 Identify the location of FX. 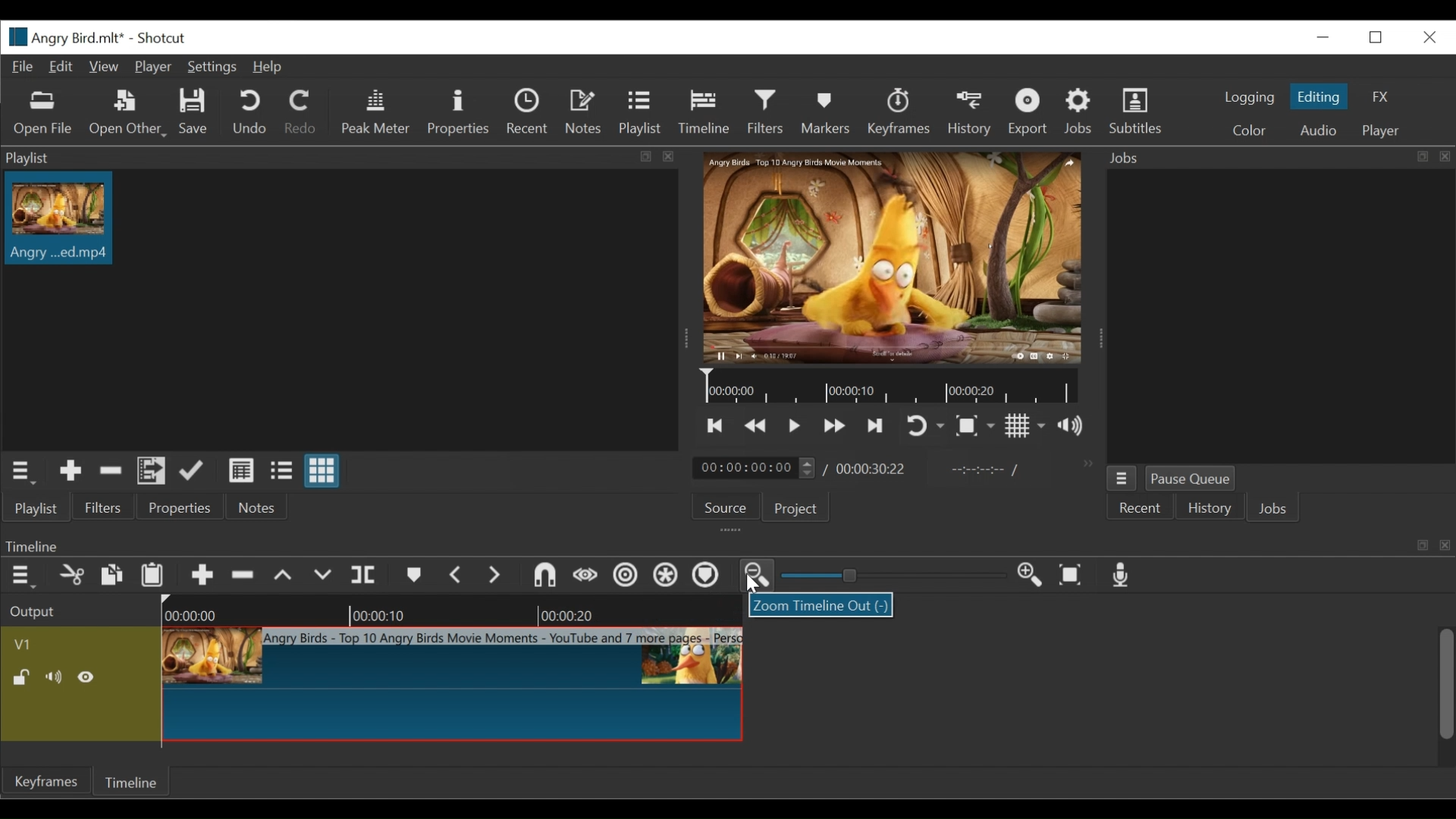
(1379, 98).